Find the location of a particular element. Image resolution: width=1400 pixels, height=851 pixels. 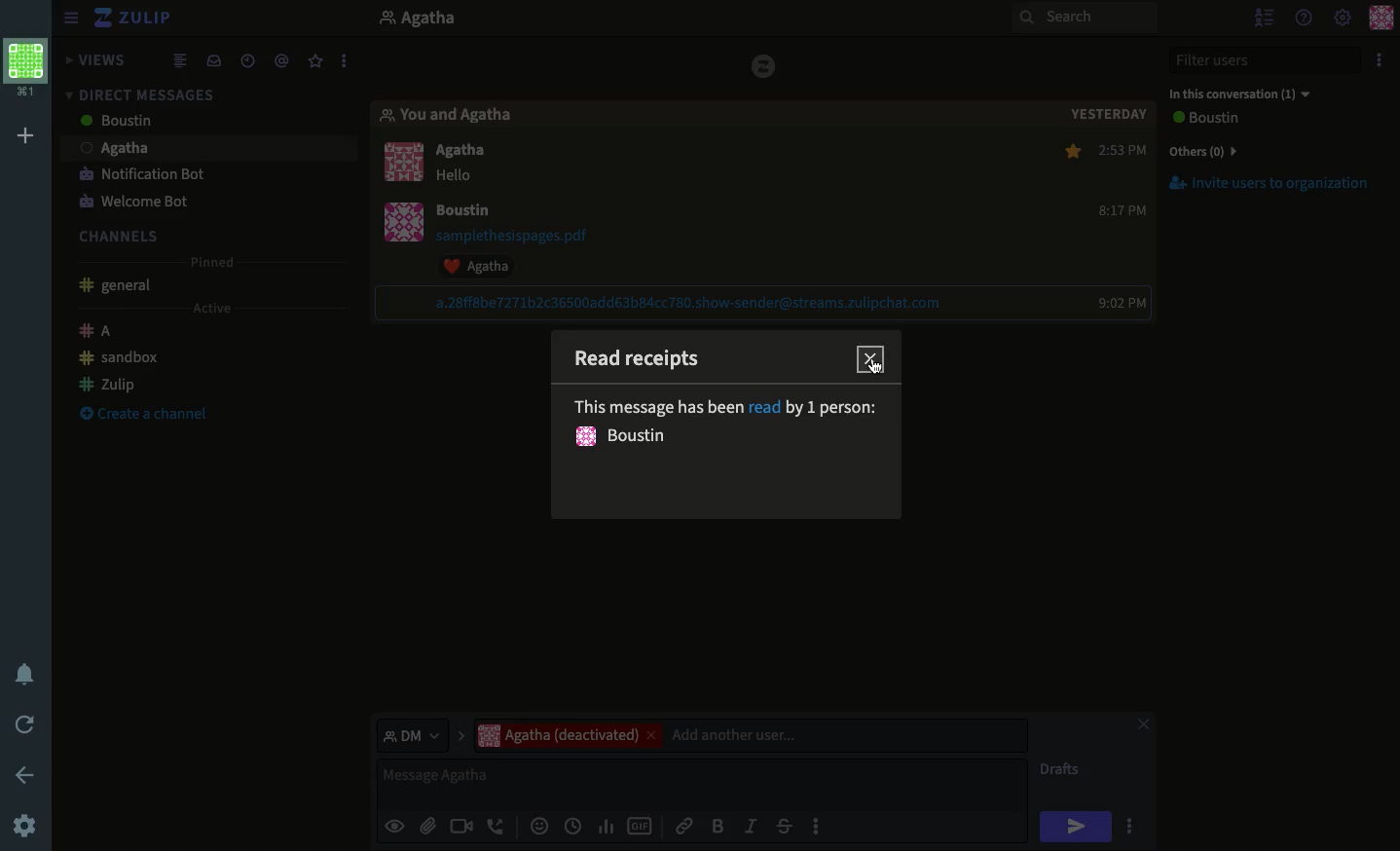

General is located at coordinates (119, 287).